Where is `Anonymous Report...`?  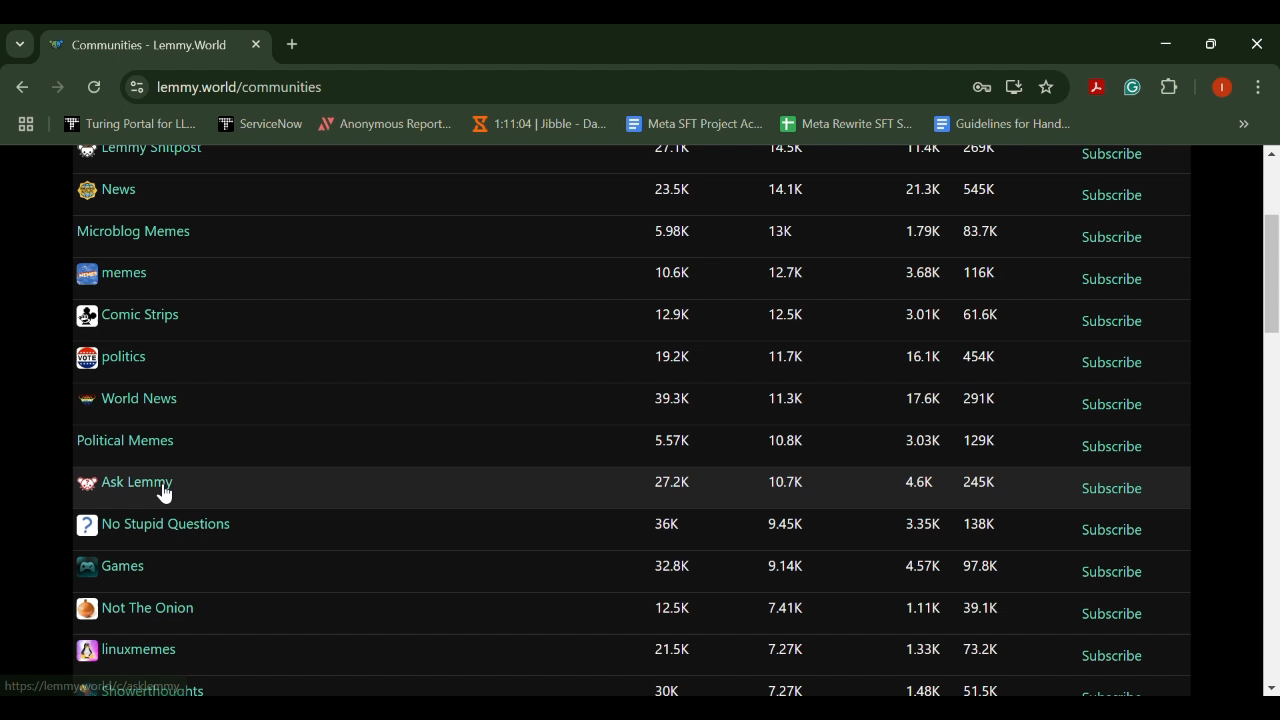 Anonymous Report... is located at coordinates (386, 123).